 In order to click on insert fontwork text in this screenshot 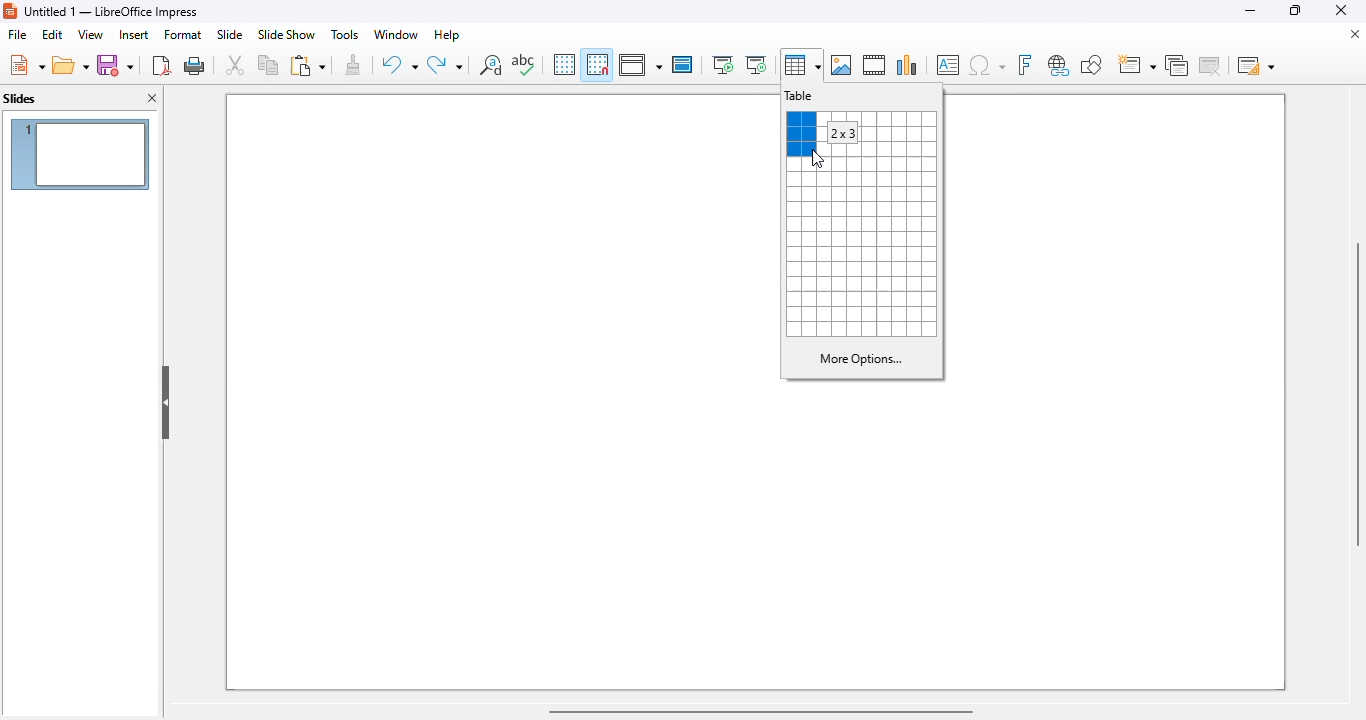, I will do `click(1025, 65)`.